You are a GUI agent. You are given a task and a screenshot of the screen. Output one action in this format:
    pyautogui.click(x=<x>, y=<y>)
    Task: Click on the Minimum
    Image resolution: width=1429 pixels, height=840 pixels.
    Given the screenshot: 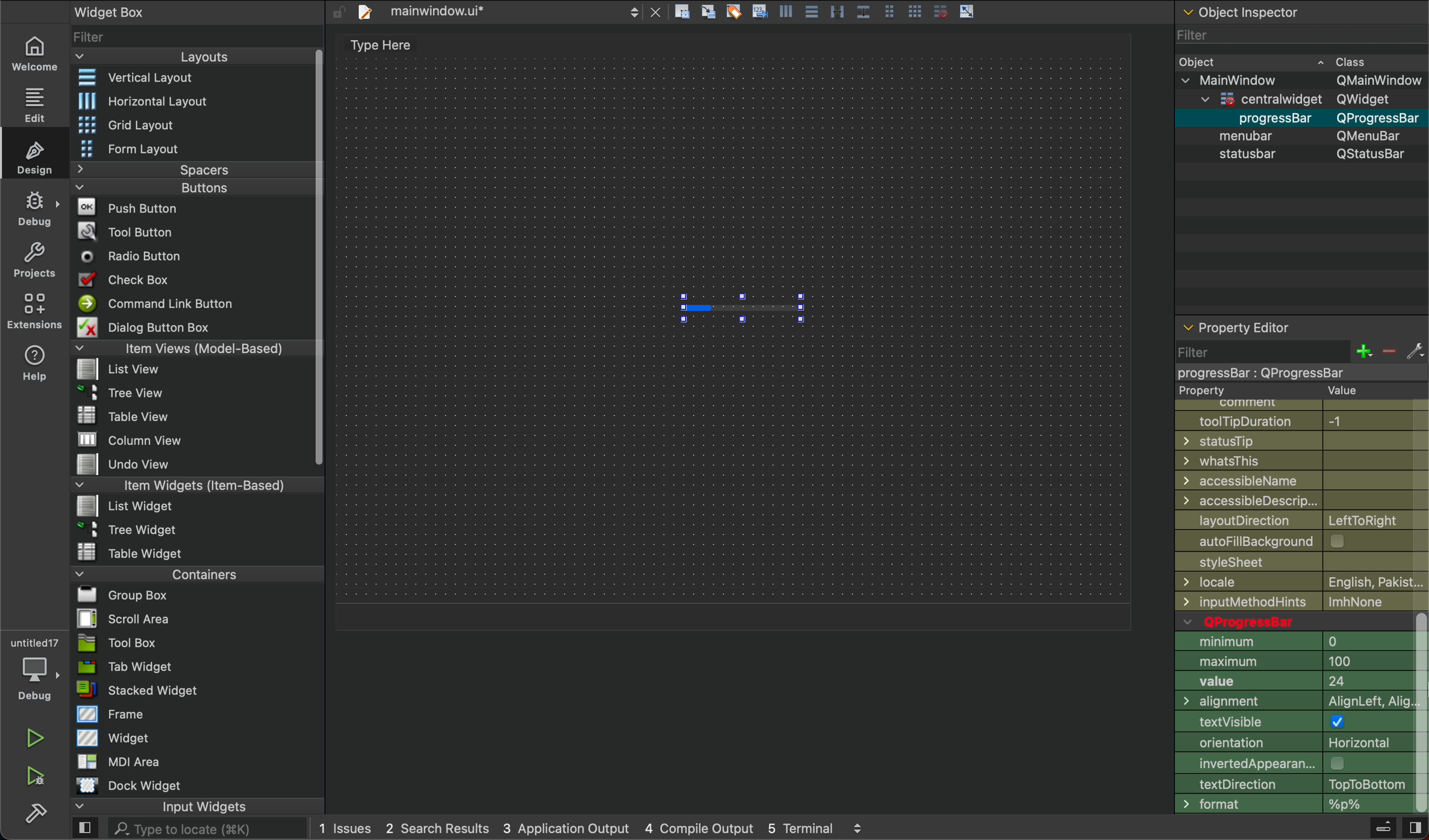 What is the action you would take?
    pyautogui.click(x=1295, y=642)
    